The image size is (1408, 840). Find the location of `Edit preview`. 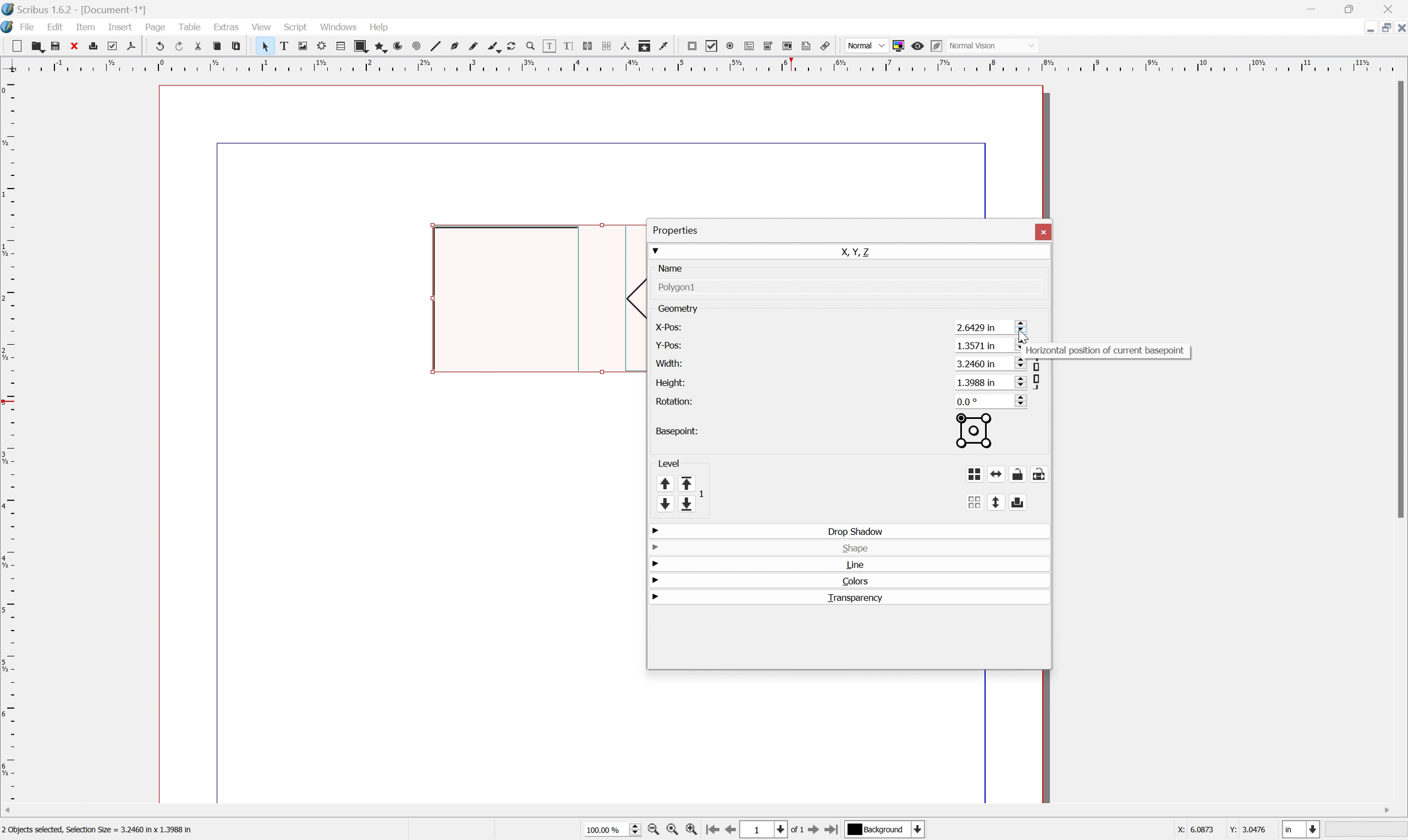

Edit preview is located at coordinates (936, 45).